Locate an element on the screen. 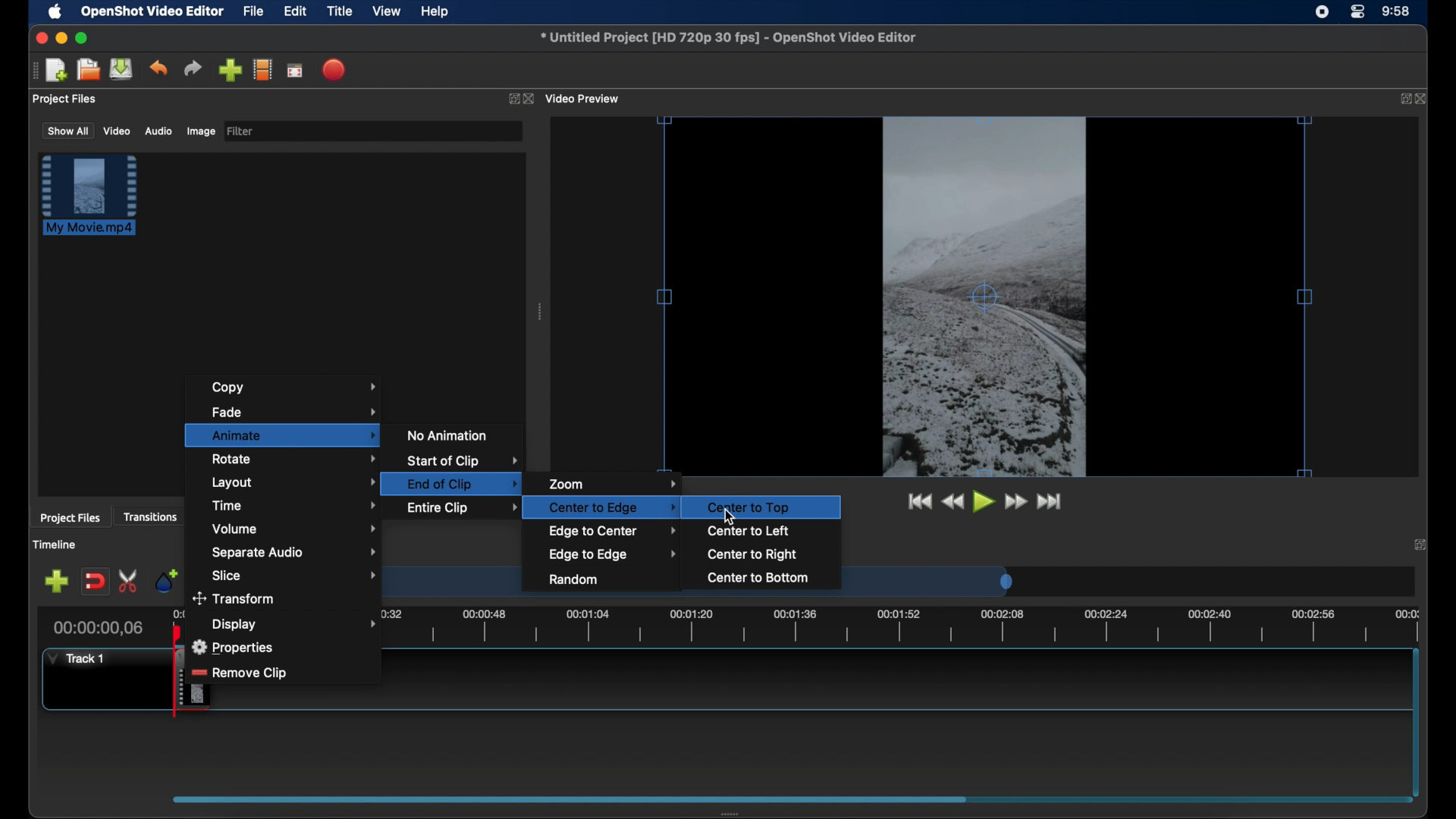 This screenshot has width=1456, height=819. maximize is located at coordinates (82, 38).